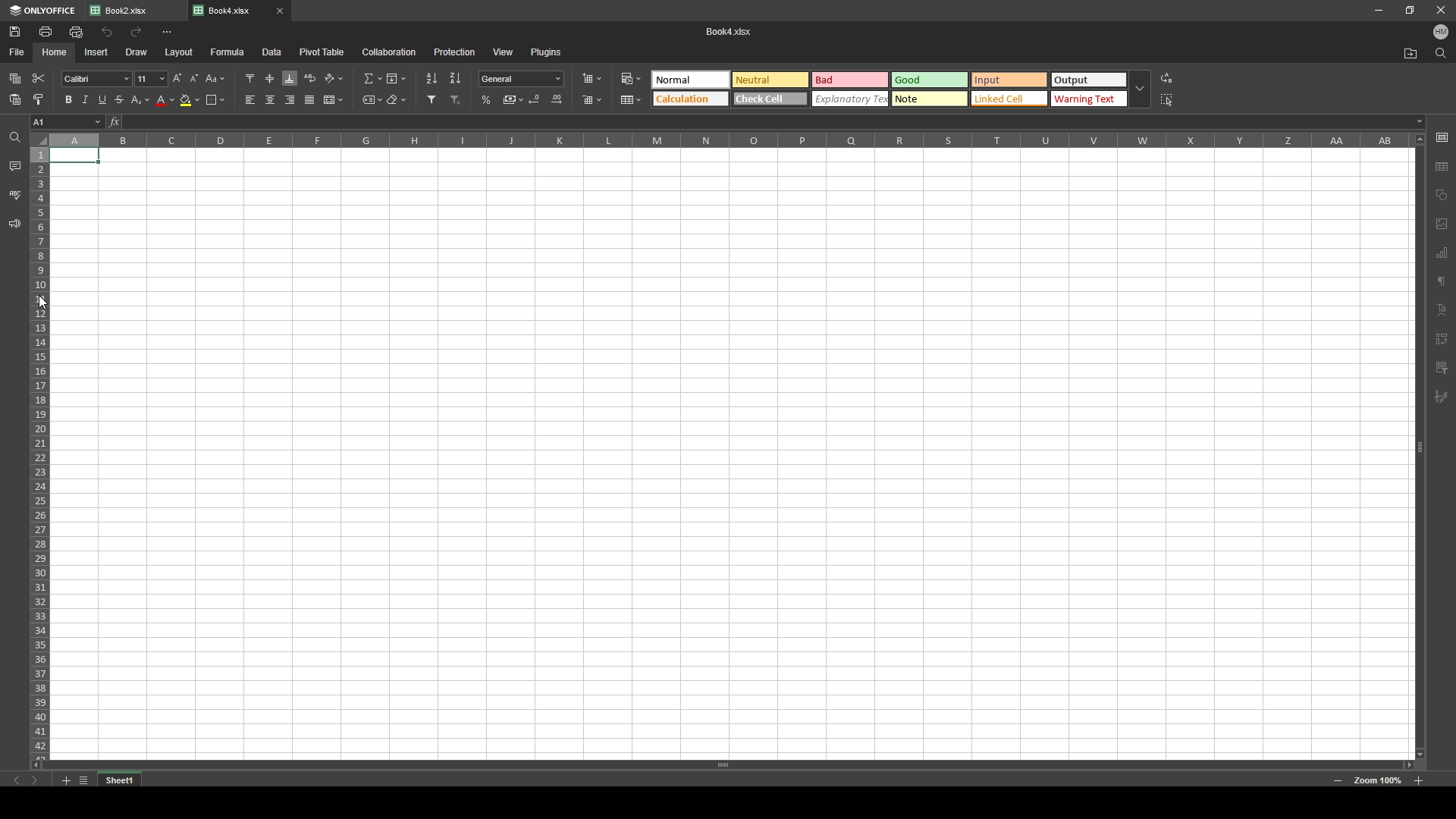  What do you see at coordinates (546, 52) in the screenshot?
I see `plugins` at bounding box center [546, 52].